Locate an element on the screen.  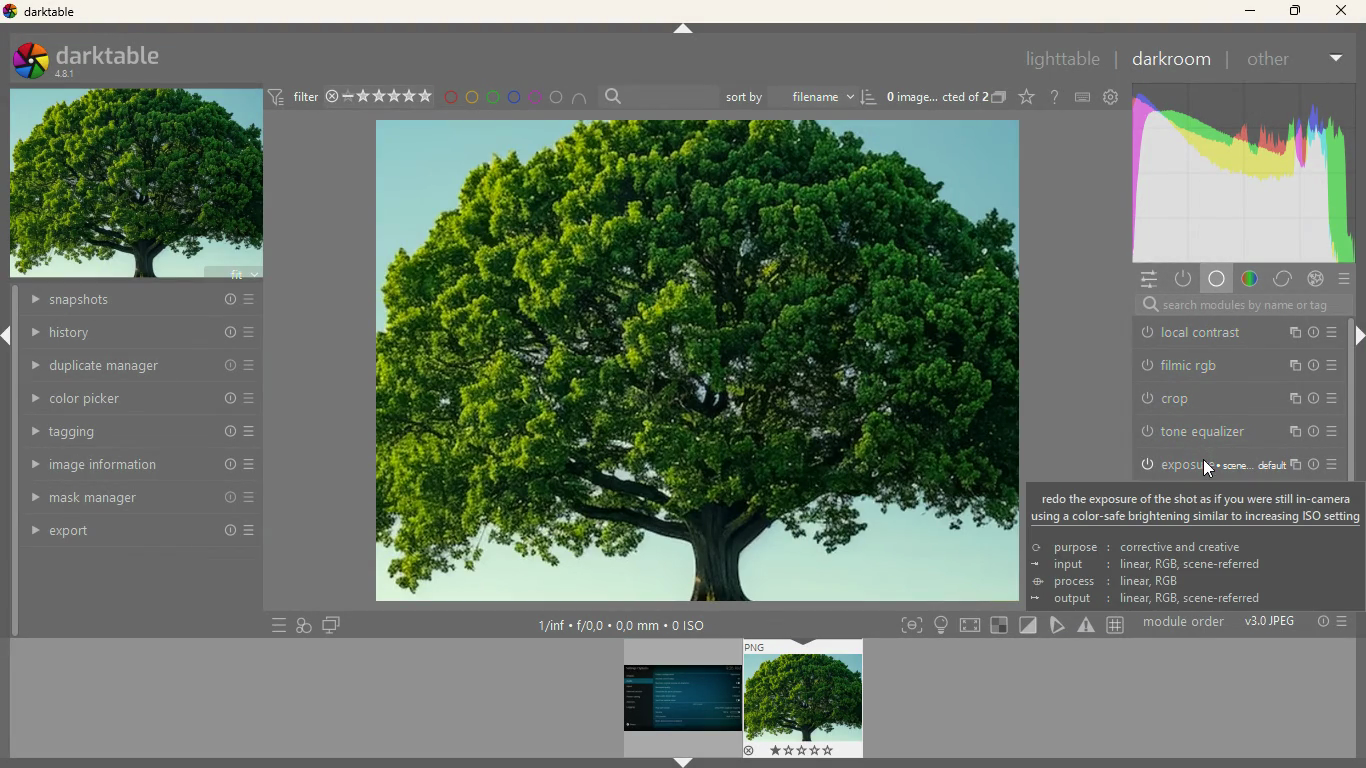
warning is located at coordinates (1089, 625).